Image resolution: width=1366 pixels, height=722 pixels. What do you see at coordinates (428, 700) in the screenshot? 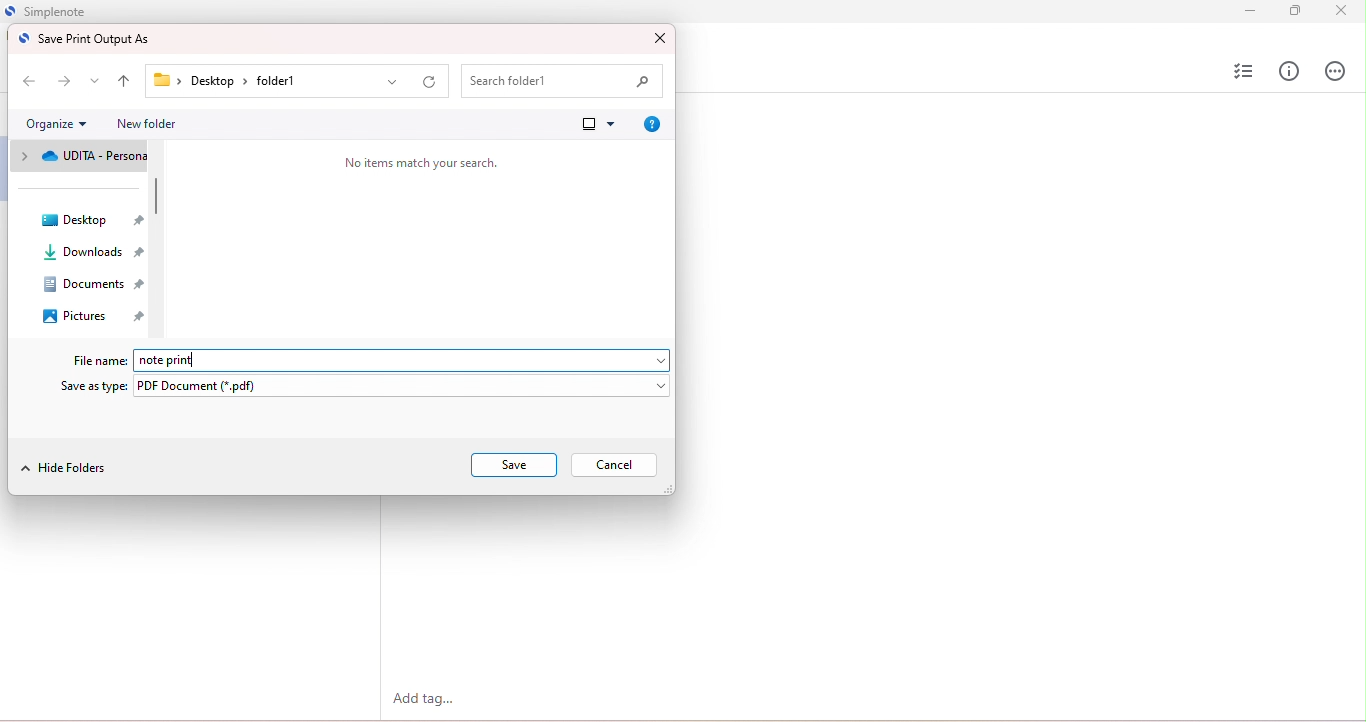
I see `add tag` at bounding box center [428, 700].